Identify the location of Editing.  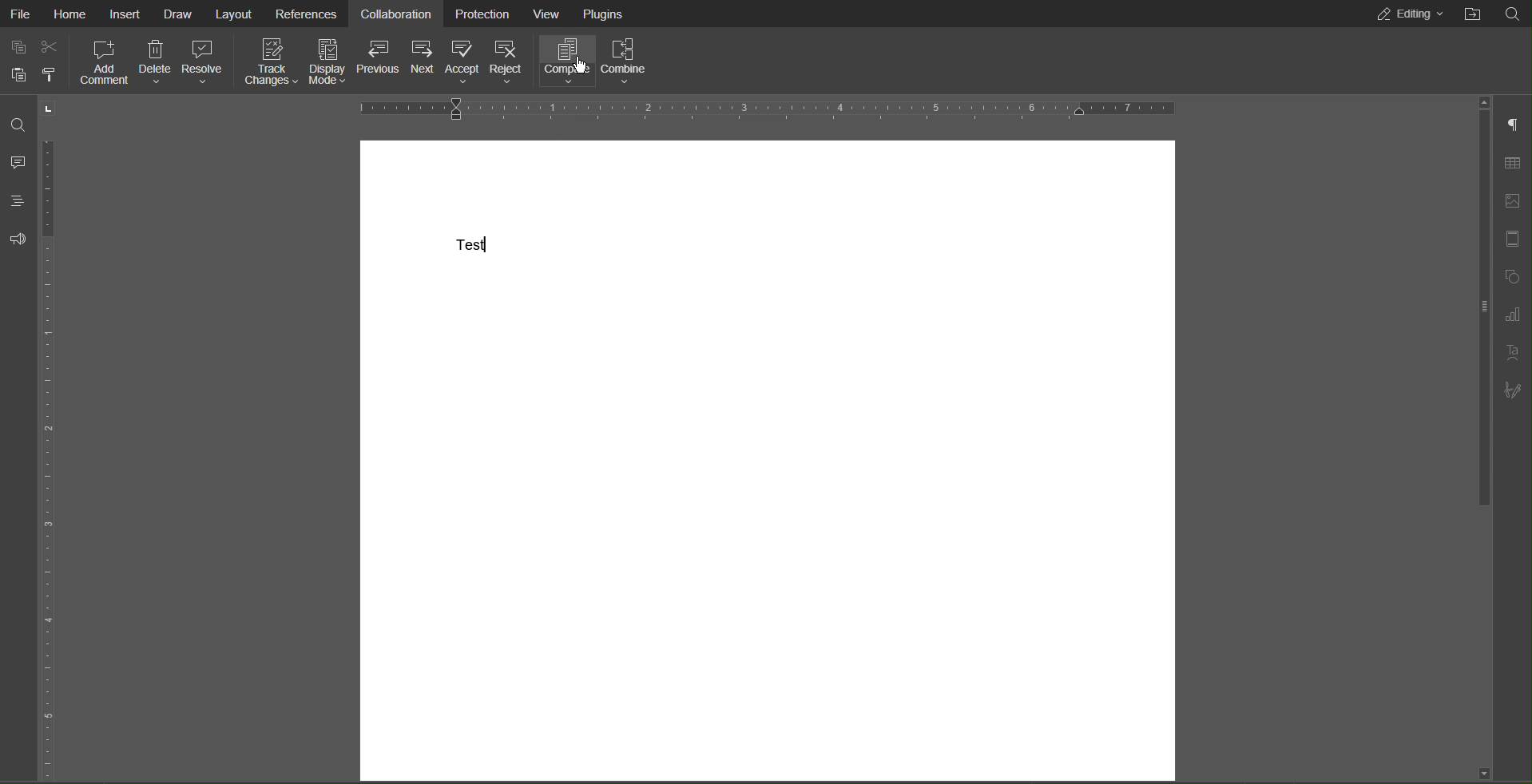
(1411, 14).